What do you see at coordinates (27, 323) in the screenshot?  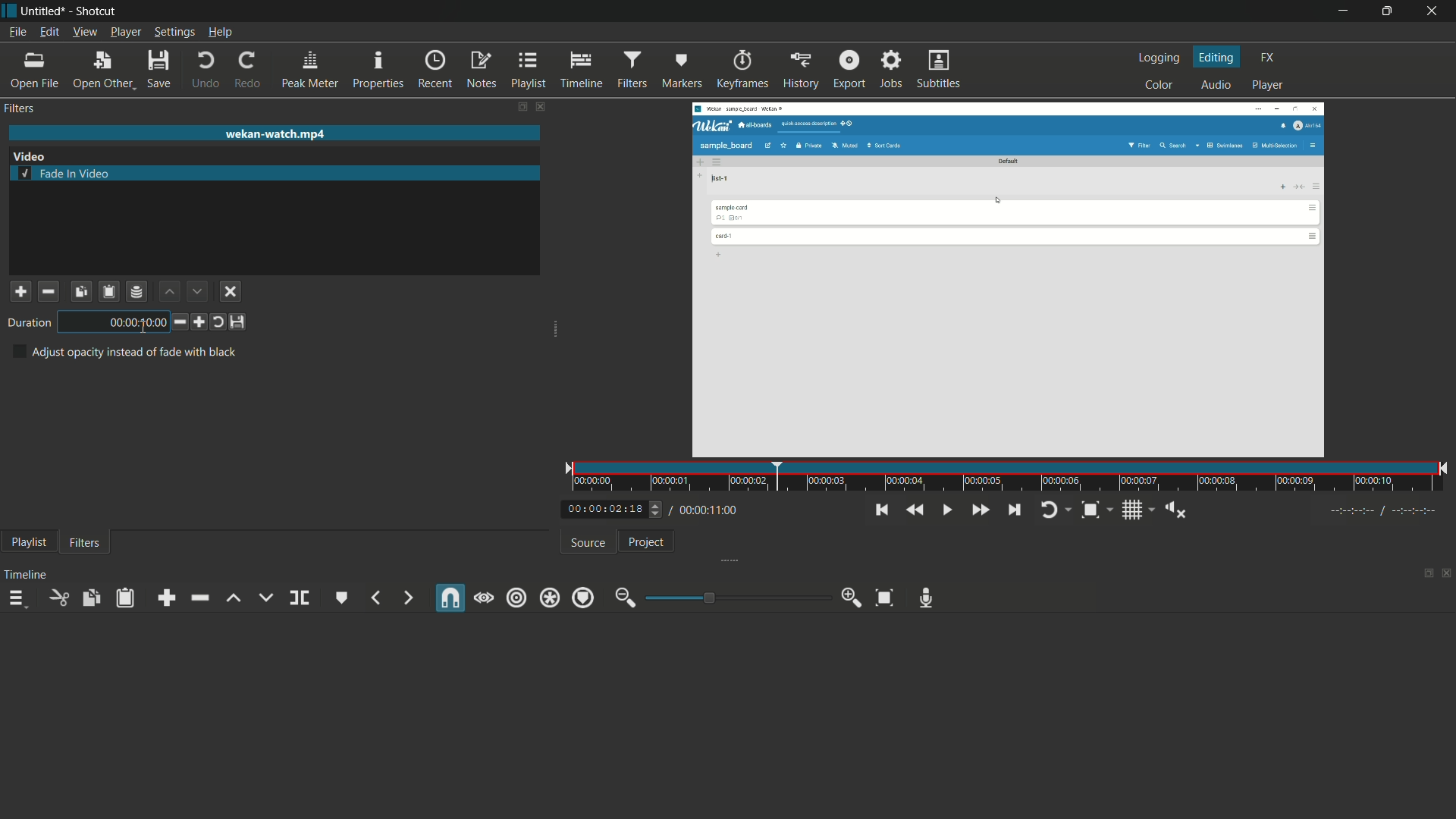 I see `duration` at bounding box center [27, 323].